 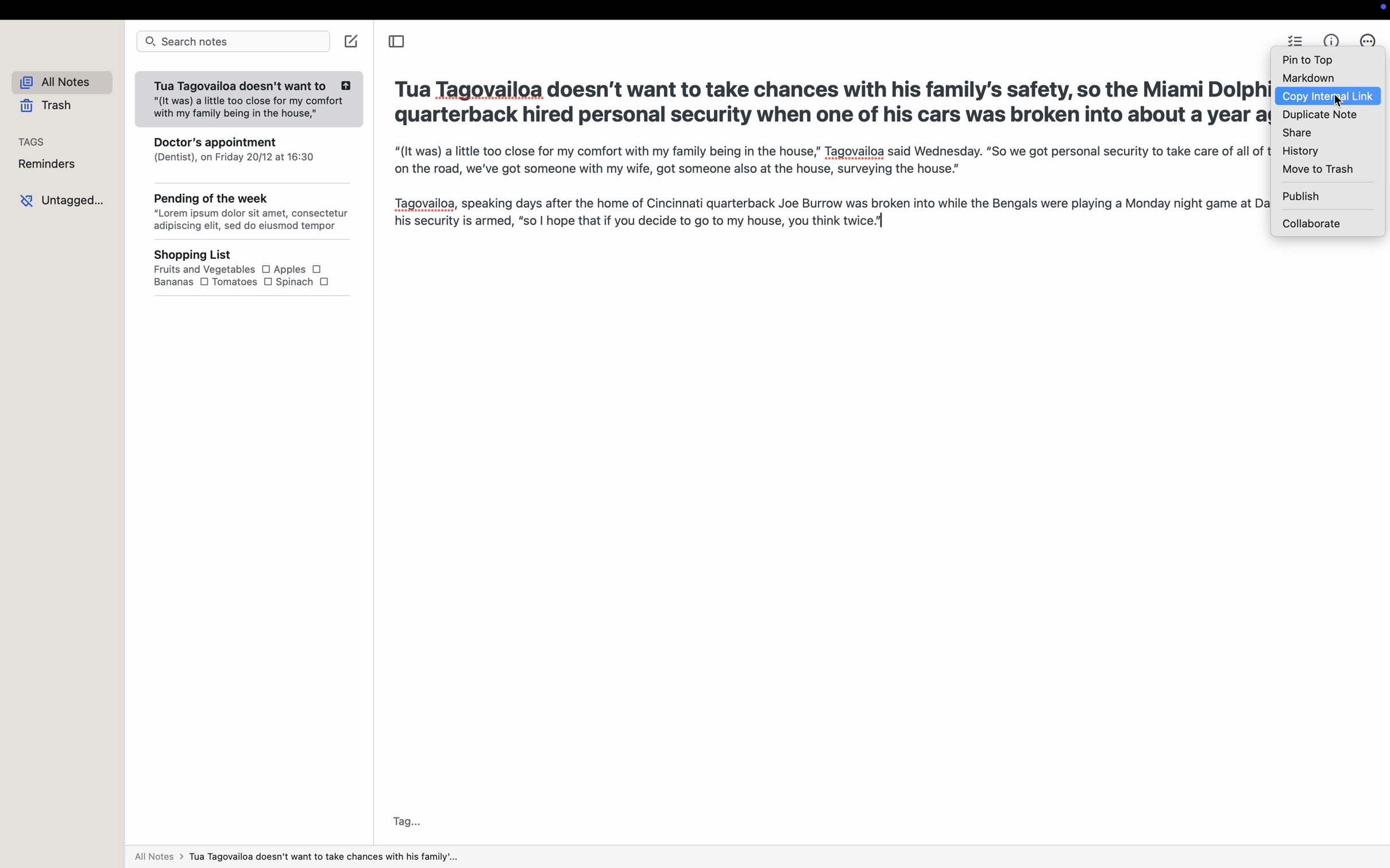 What do you see at coordinates (1380, 9) in the screenshot?
I see `screen controls` at bounding box center [1380, 9].